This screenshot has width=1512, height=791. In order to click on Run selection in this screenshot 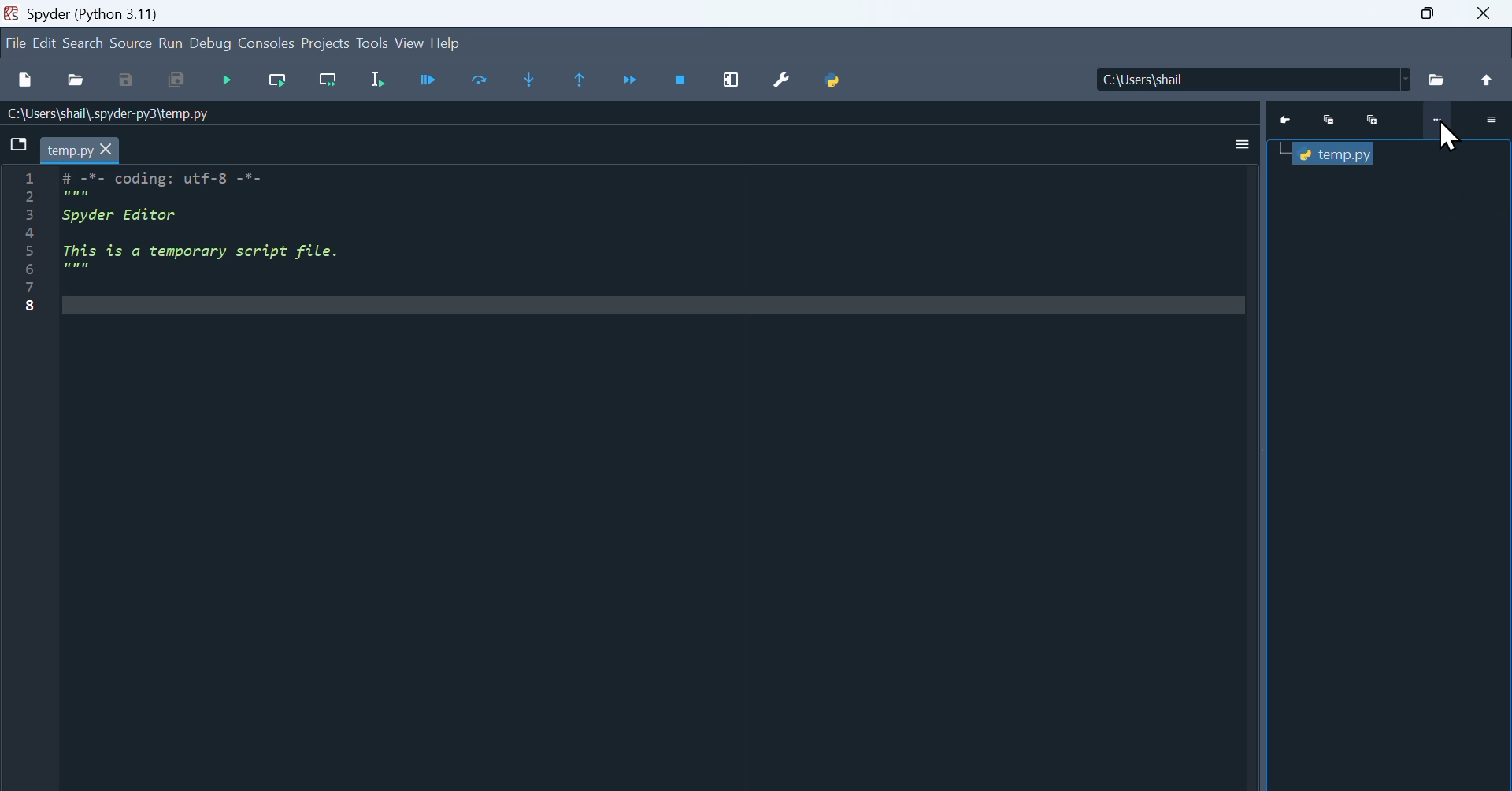, I will do `click(376, 83)`.